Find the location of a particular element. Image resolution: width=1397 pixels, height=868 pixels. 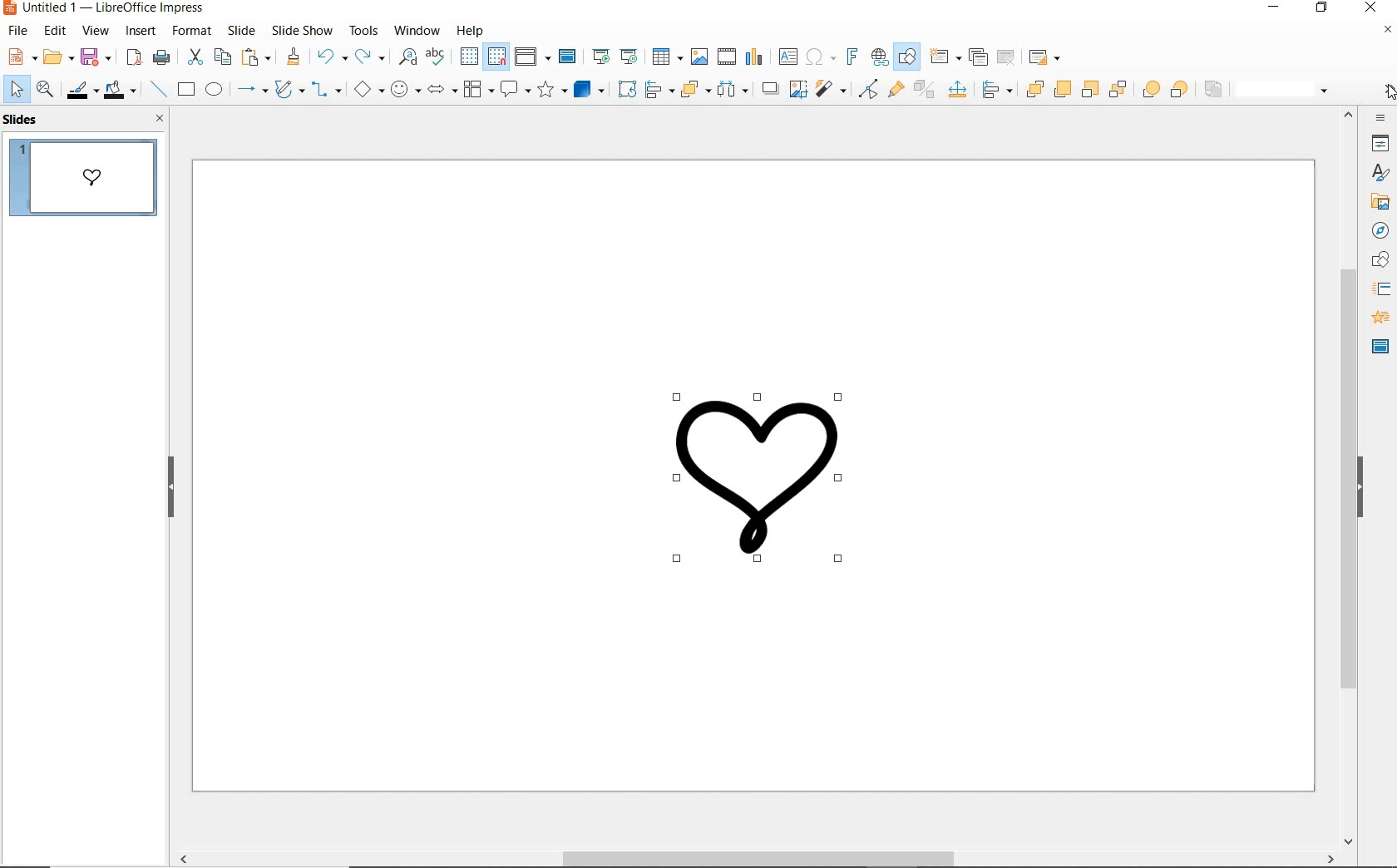

insert fontwork text is located at coordinates (852, 56).